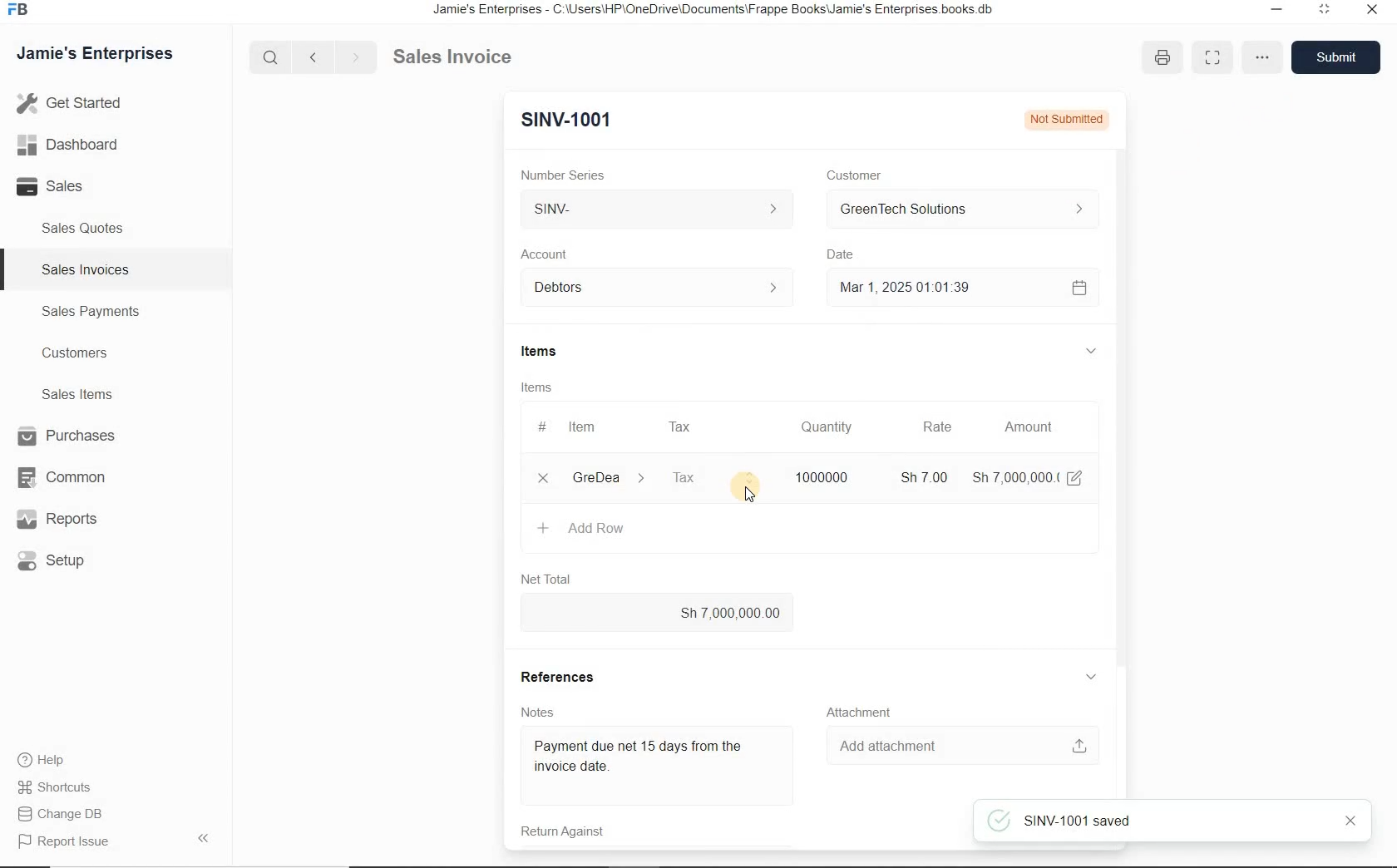  Describe the element at coordinates (1028, 427) in the screenshot. I see `Amount` at that location.